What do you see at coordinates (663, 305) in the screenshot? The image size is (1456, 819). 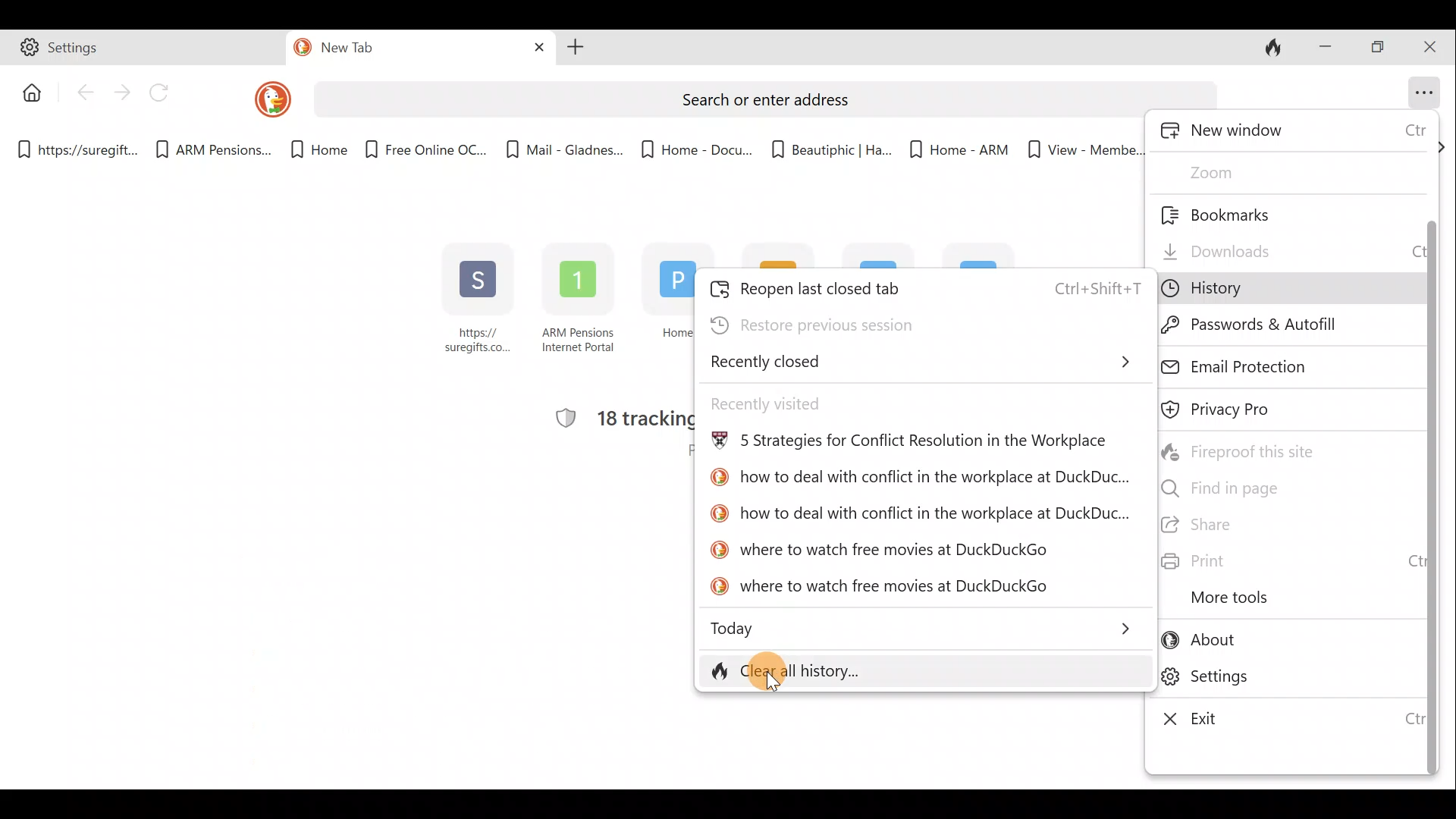 I see `Home` at bounding box center [663, 305].